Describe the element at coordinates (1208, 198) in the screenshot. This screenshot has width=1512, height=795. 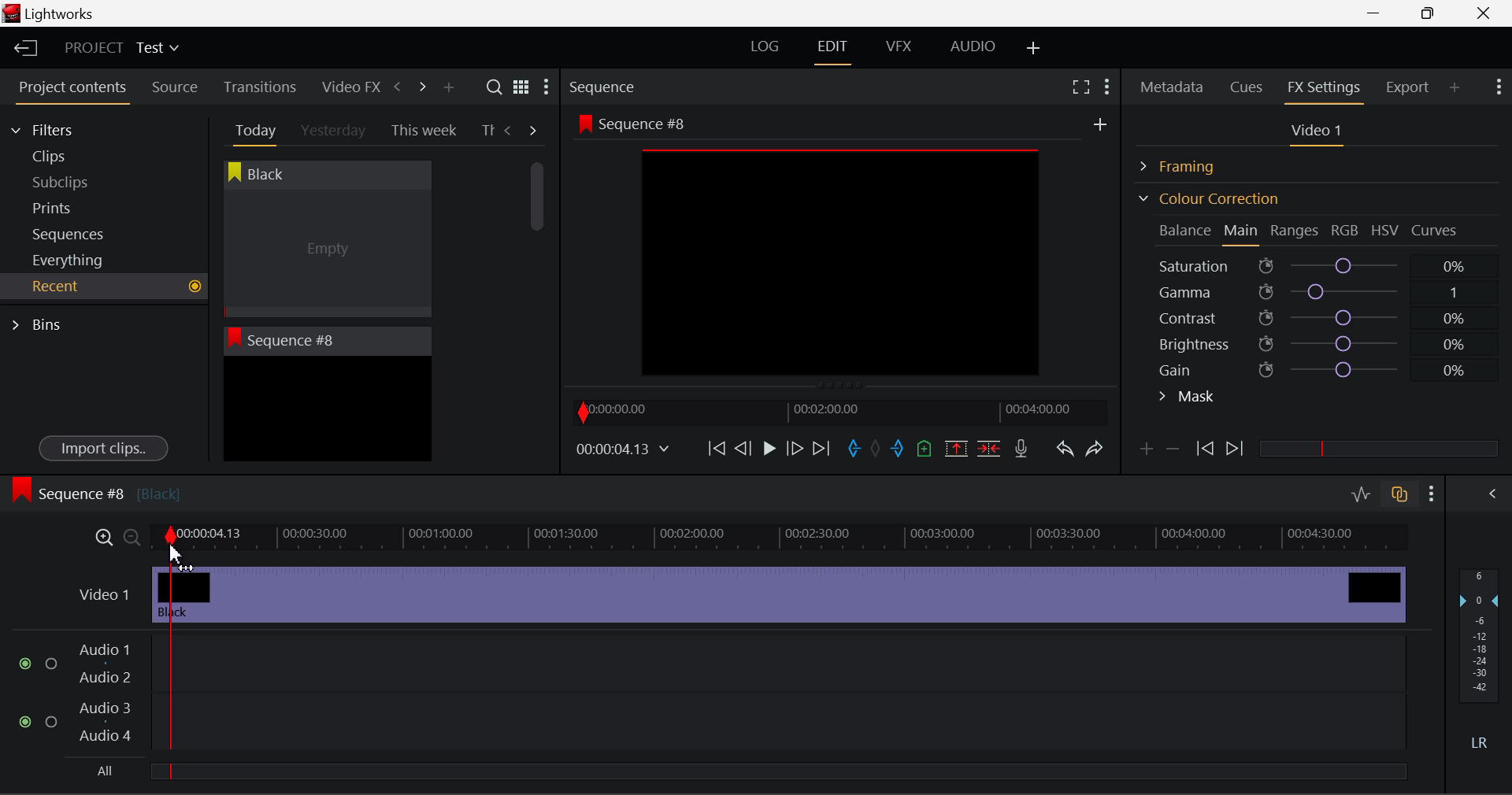
I see `Colour Correction` at that location.